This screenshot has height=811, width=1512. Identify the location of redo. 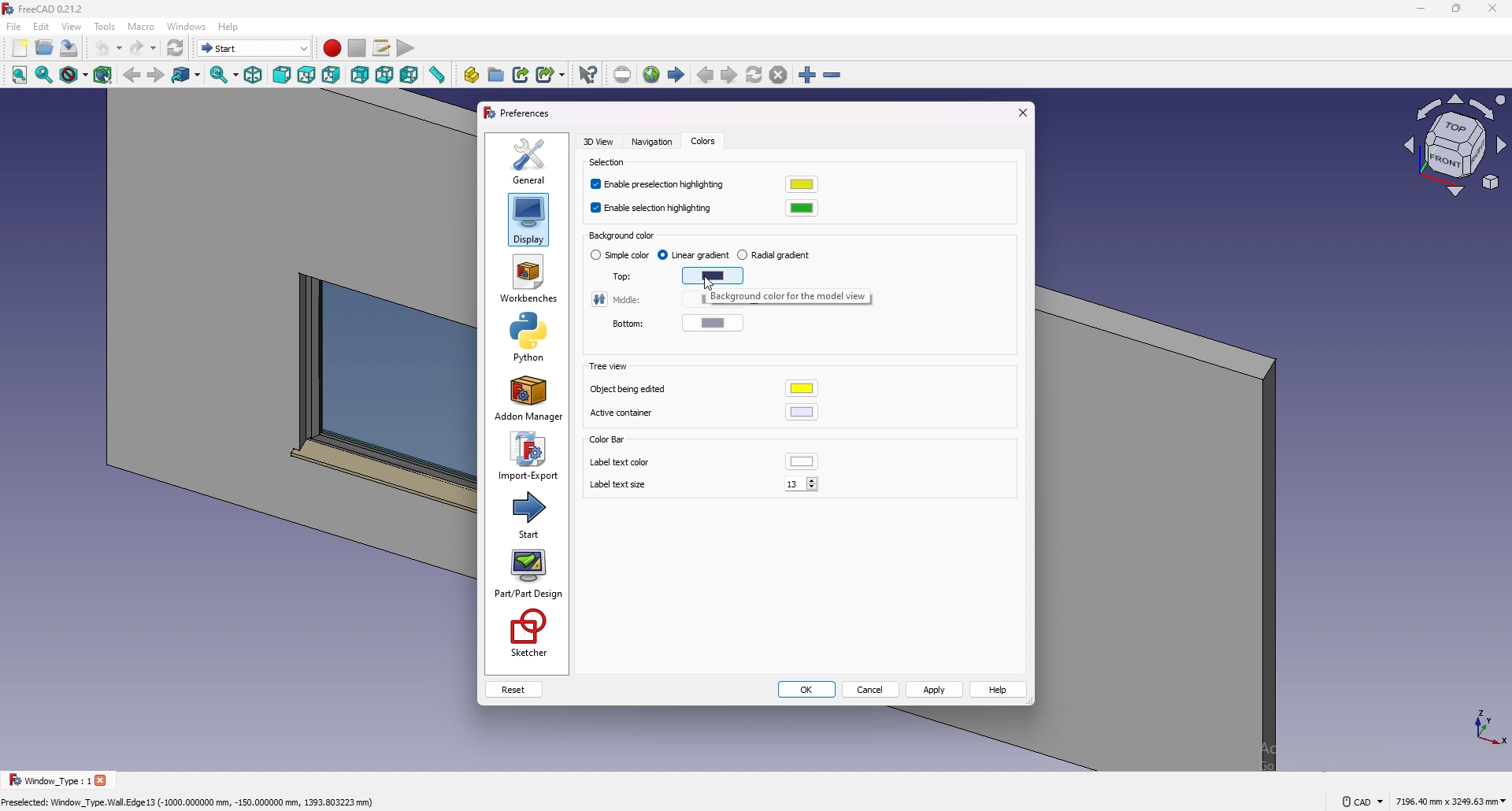
(143, 48).